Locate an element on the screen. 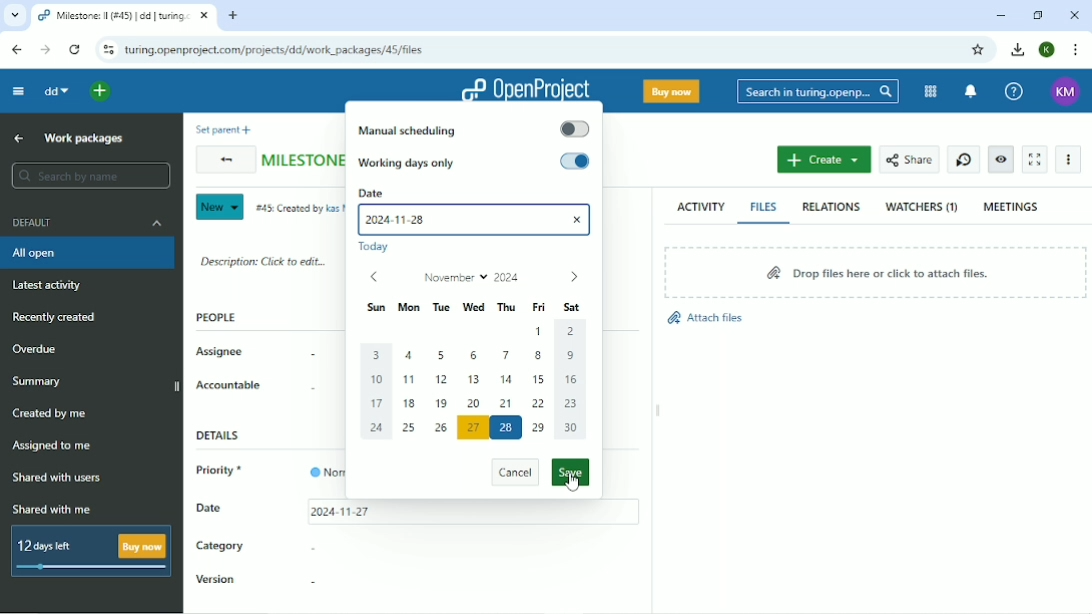  Buy now is located at coordinates (671, 90).